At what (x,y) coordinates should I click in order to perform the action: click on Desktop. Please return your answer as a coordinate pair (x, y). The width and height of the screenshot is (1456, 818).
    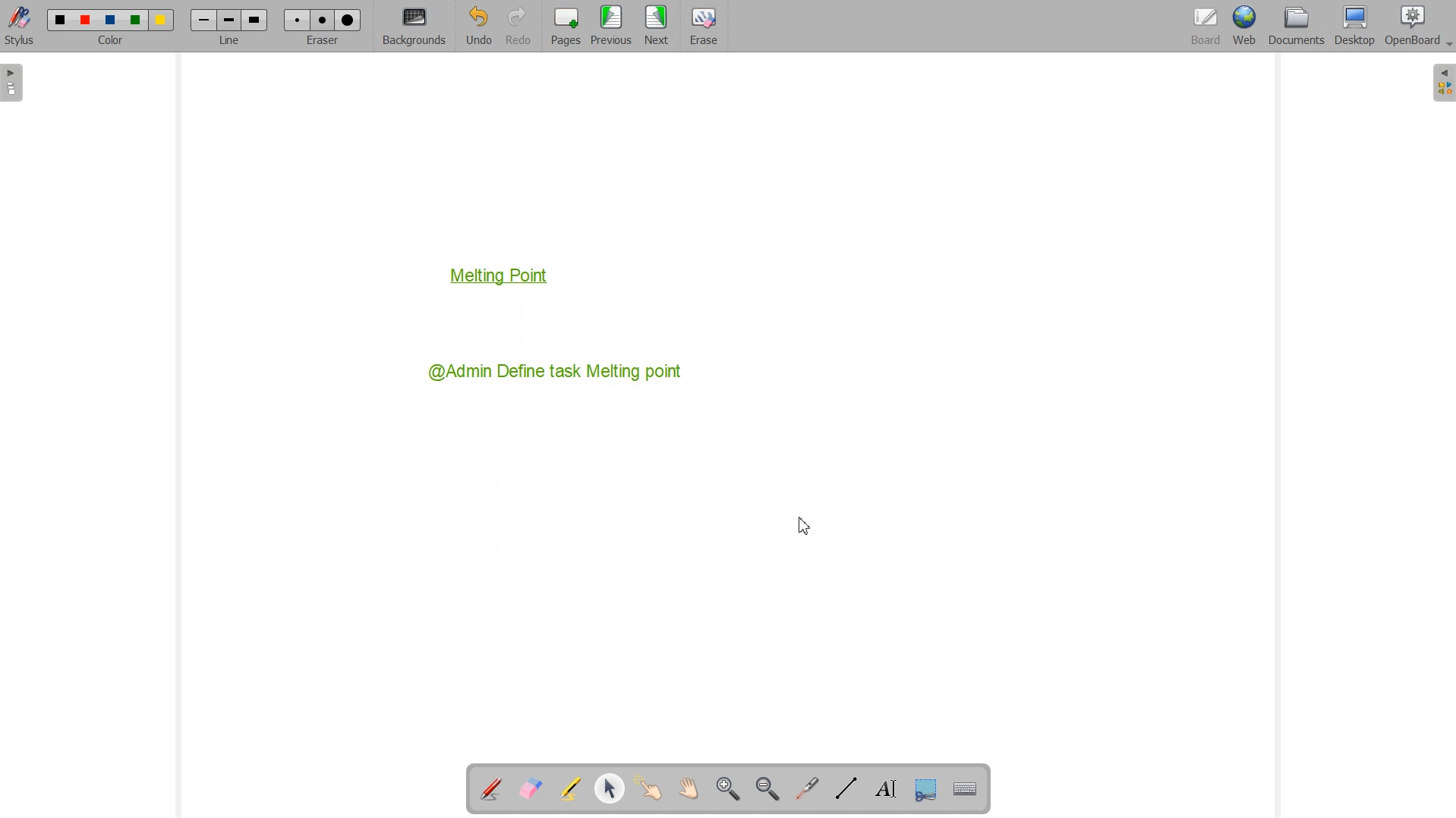
    Looking at the image, I should click on (1356, 27).